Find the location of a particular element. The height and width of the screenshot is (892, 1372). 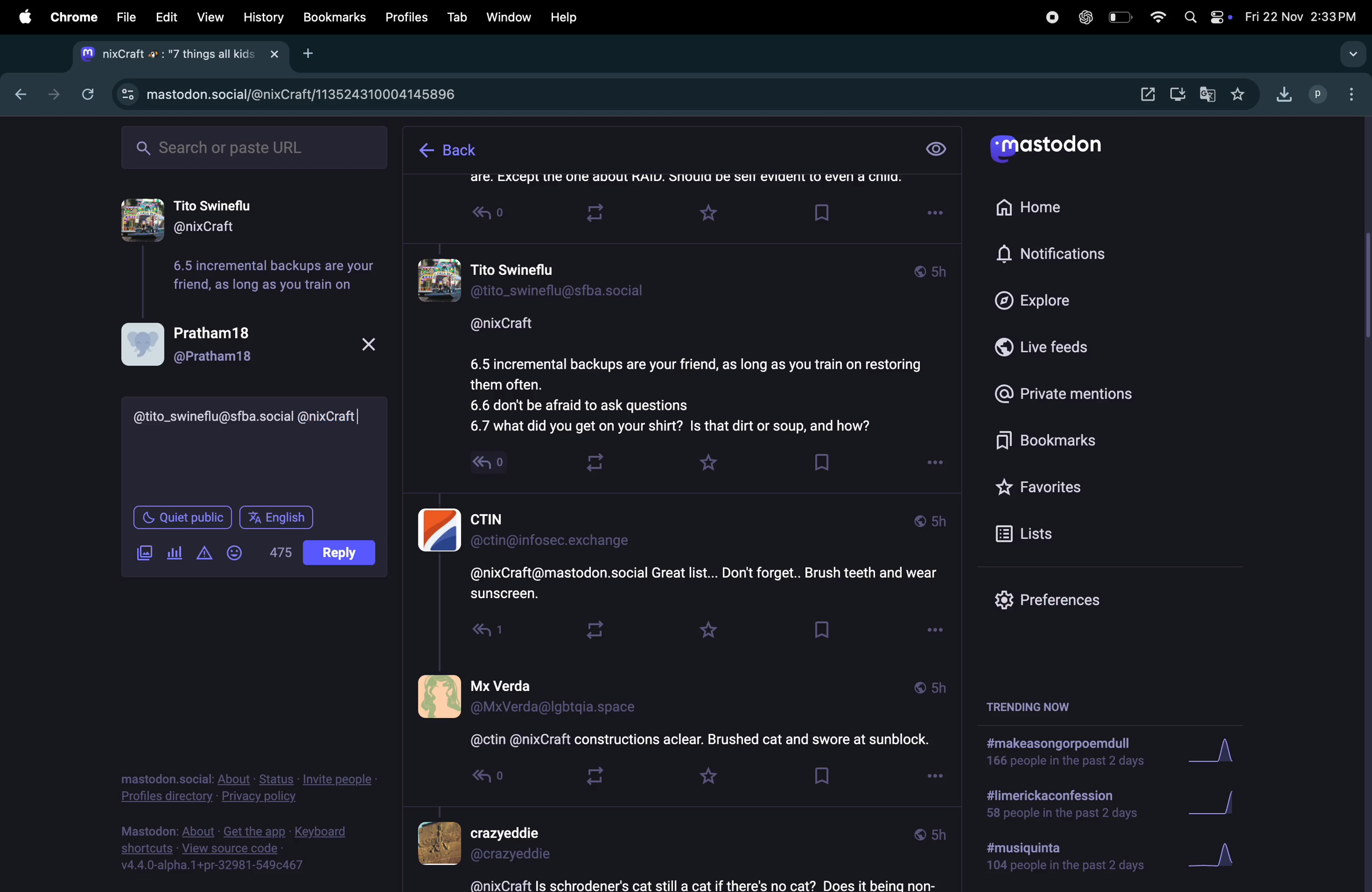

favourites is located at coordinates (1076, 490).